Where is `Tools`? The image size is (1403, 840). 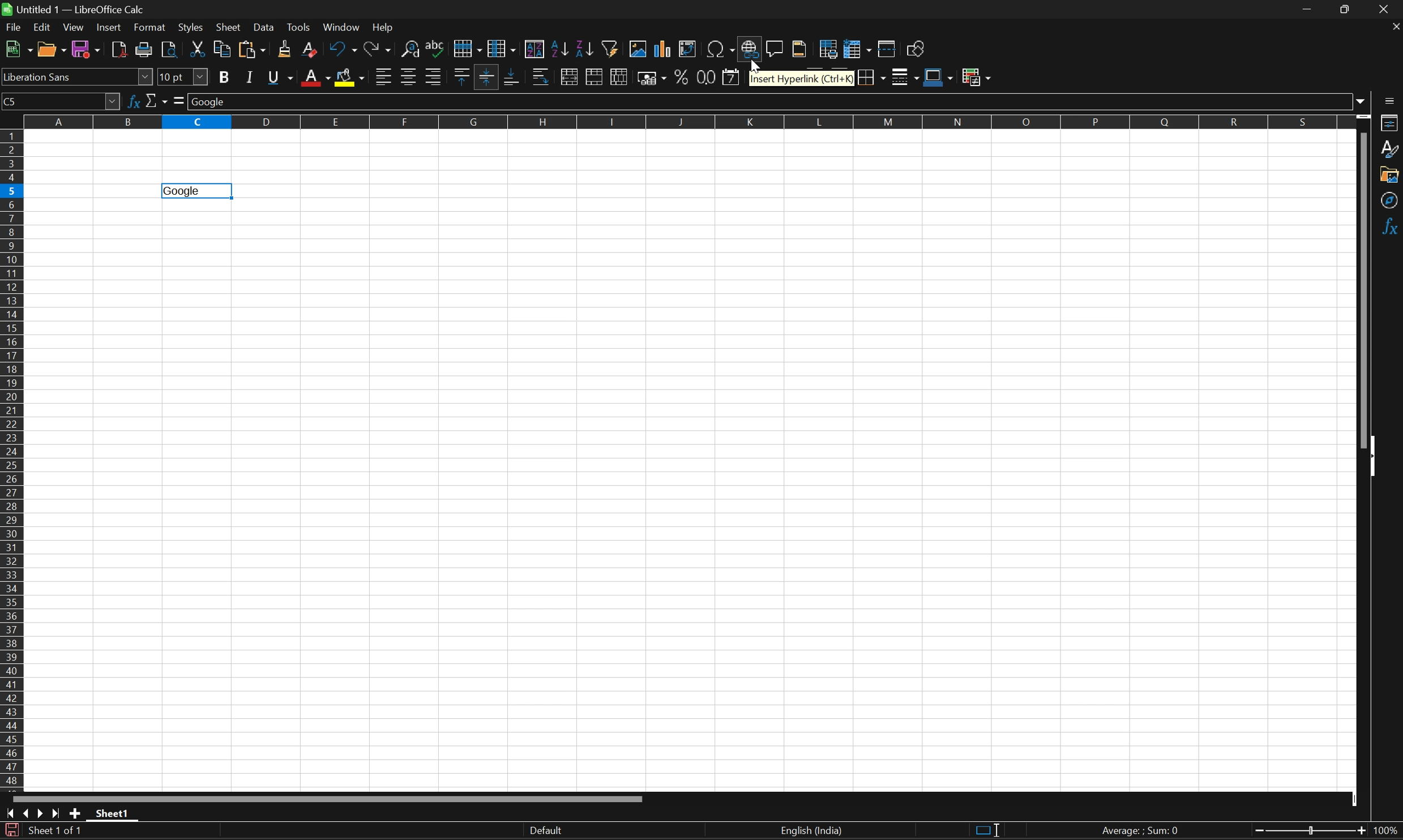 Tools is located at coordinates (301, 28).